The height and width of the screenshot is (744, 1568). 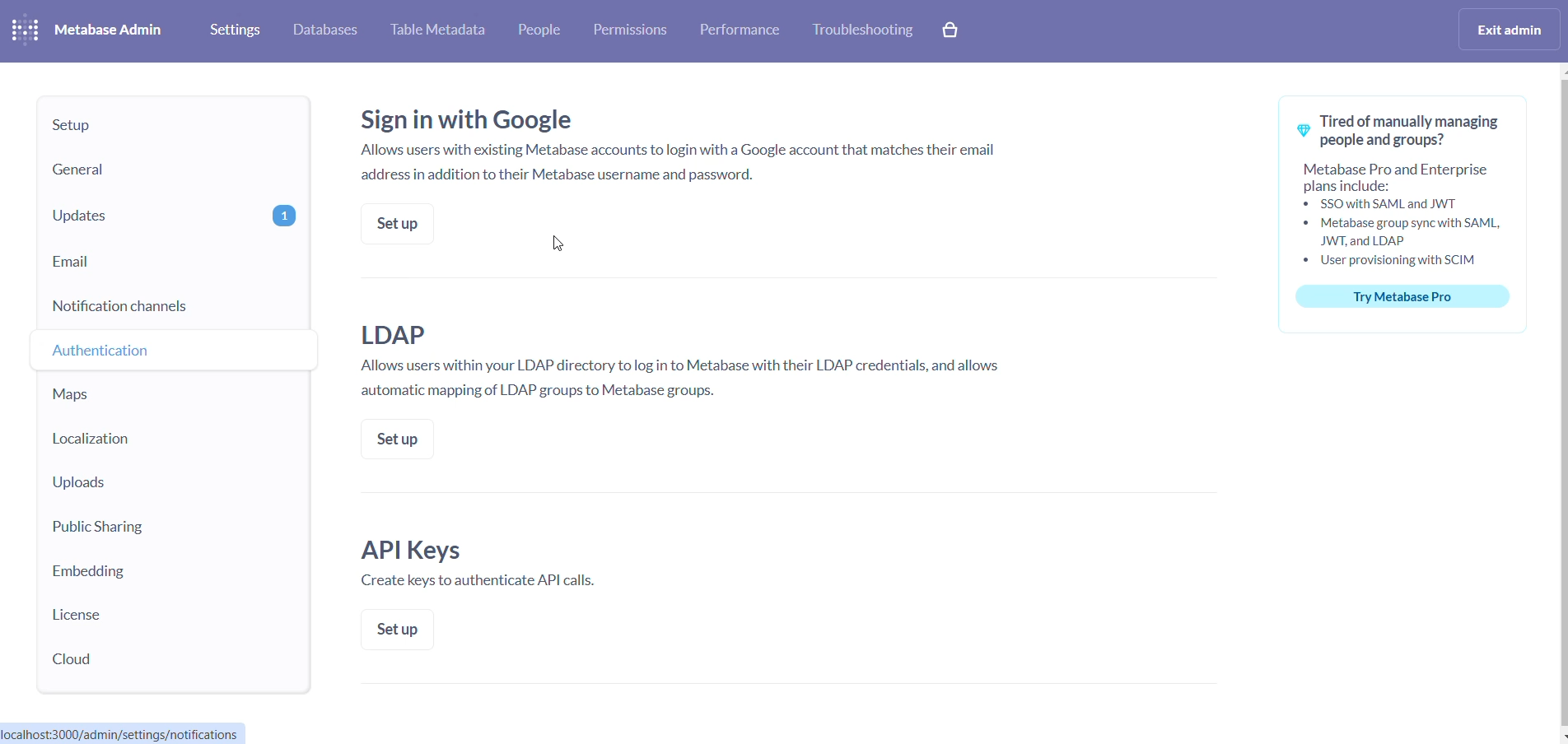 What do you see at coordinates (104, 570) in the screenshot?
I see `embedding` at bounding box center [104, 570].